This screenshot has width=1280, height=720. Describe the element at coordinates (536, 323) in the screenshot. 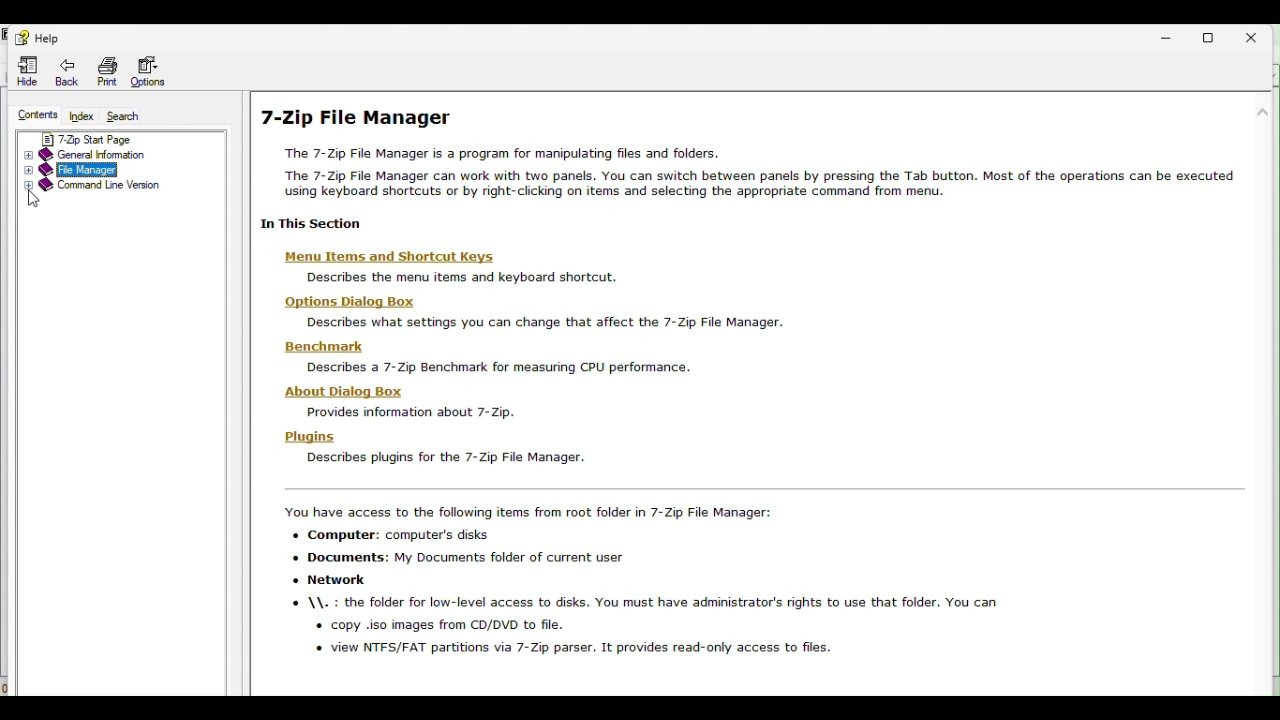

I see `Describes what settings you can change that affect the 7-Zip File Manager.` at that location.